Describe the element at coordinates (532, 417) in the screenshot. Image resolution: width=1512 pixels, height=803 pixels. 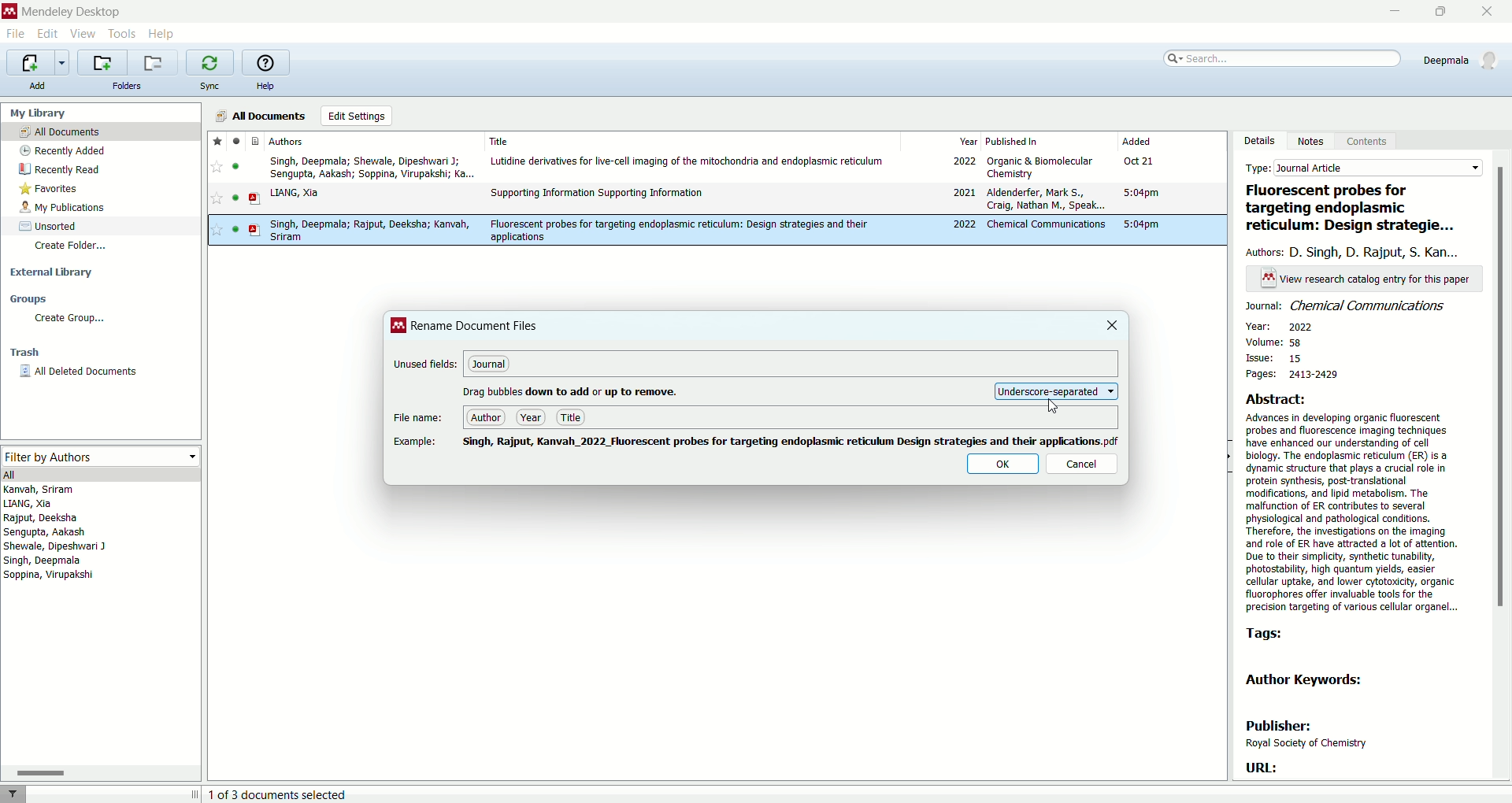
I see `year` at that location.